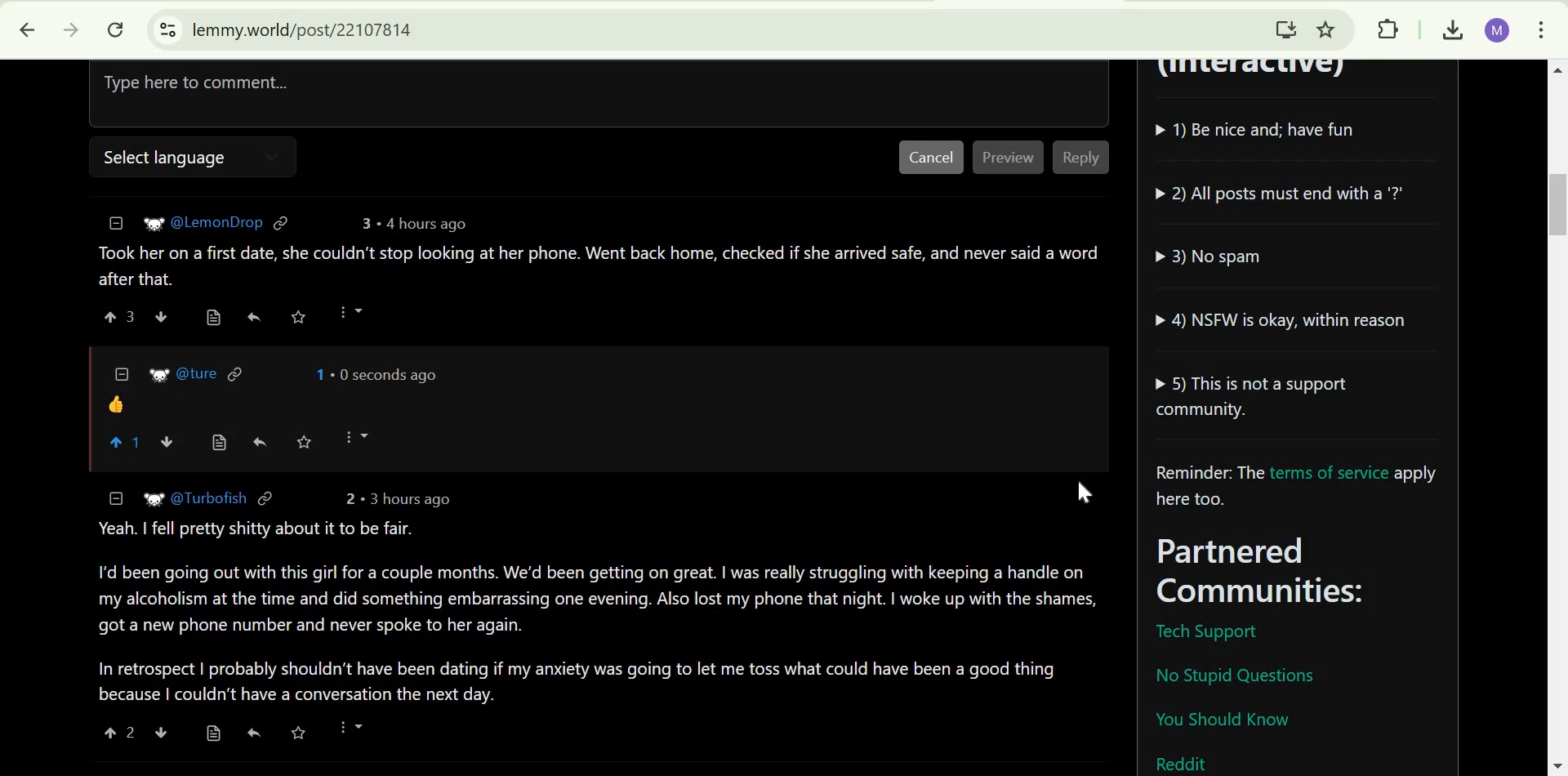 This screenshot has height=776, width=1568. Describe the element at coordinates (297, 734) in the screenshot. I see `save` at that location.